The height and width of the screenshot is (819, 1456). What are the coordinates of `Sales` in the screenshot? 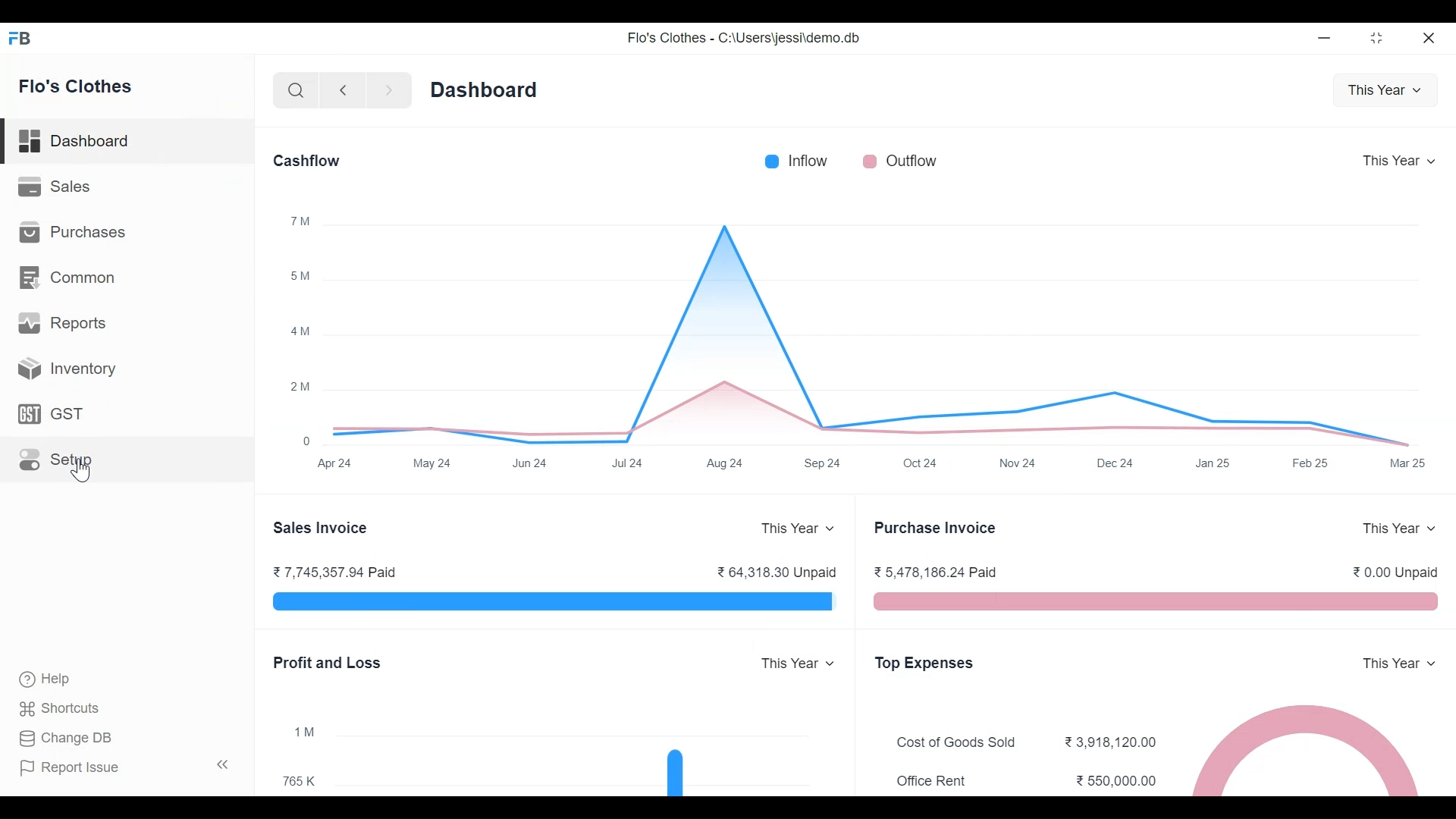 It's located at (56, 188).